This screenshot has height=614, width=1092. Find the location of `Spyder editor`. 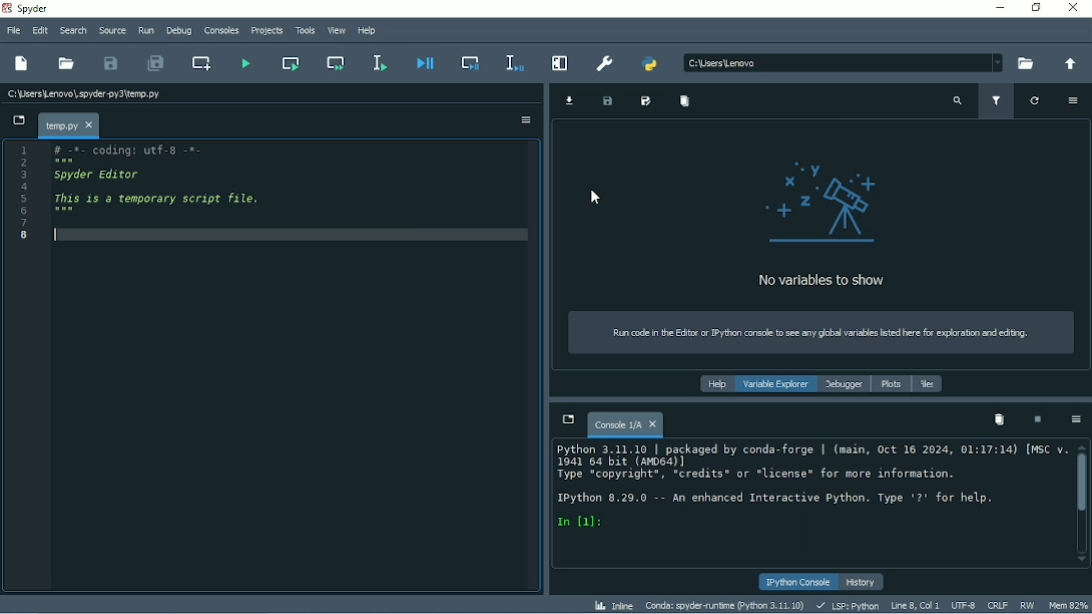

Spyder editor is located at coordinates (100, 175).